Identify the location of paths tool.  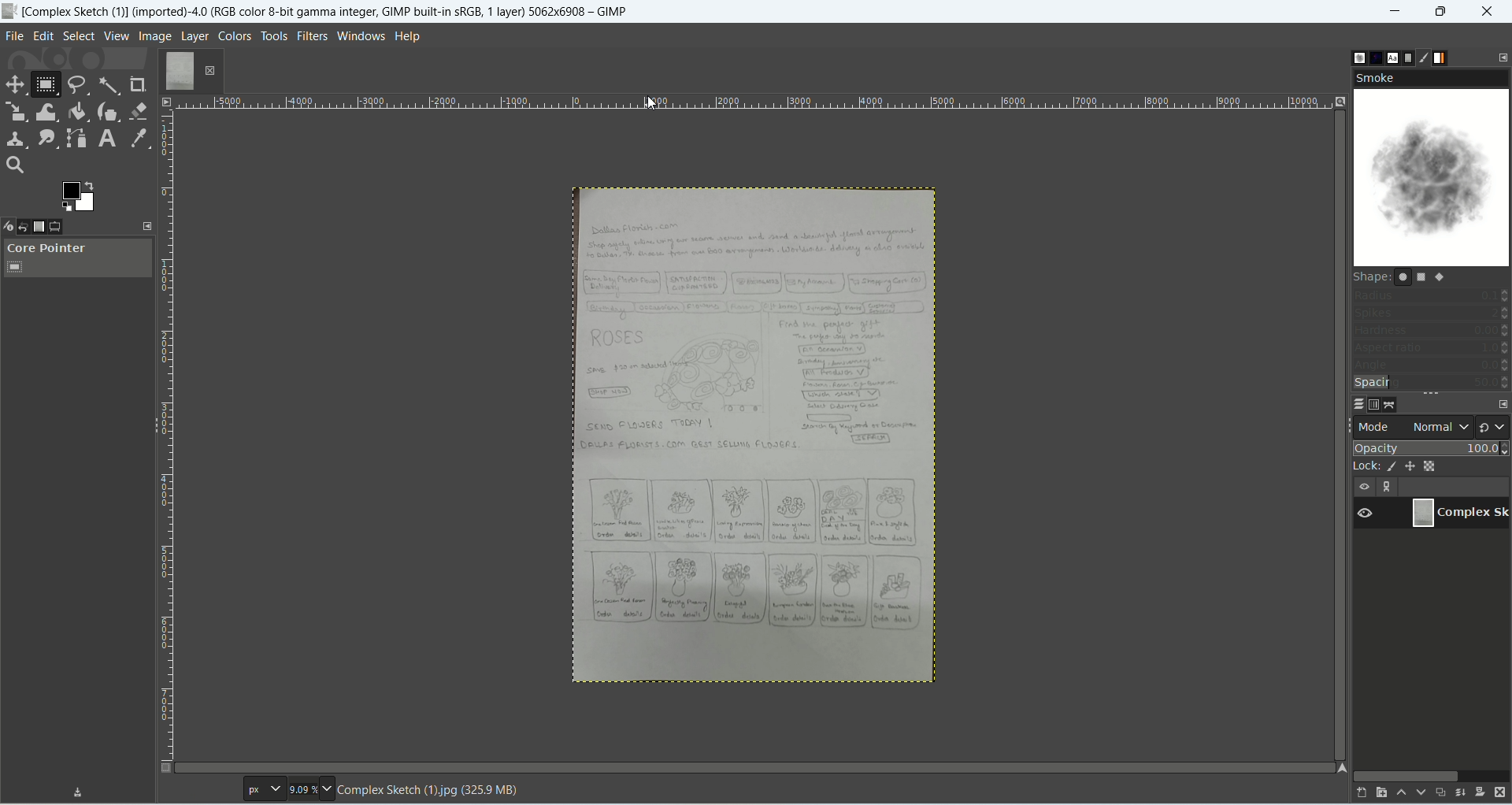
(76, 139).